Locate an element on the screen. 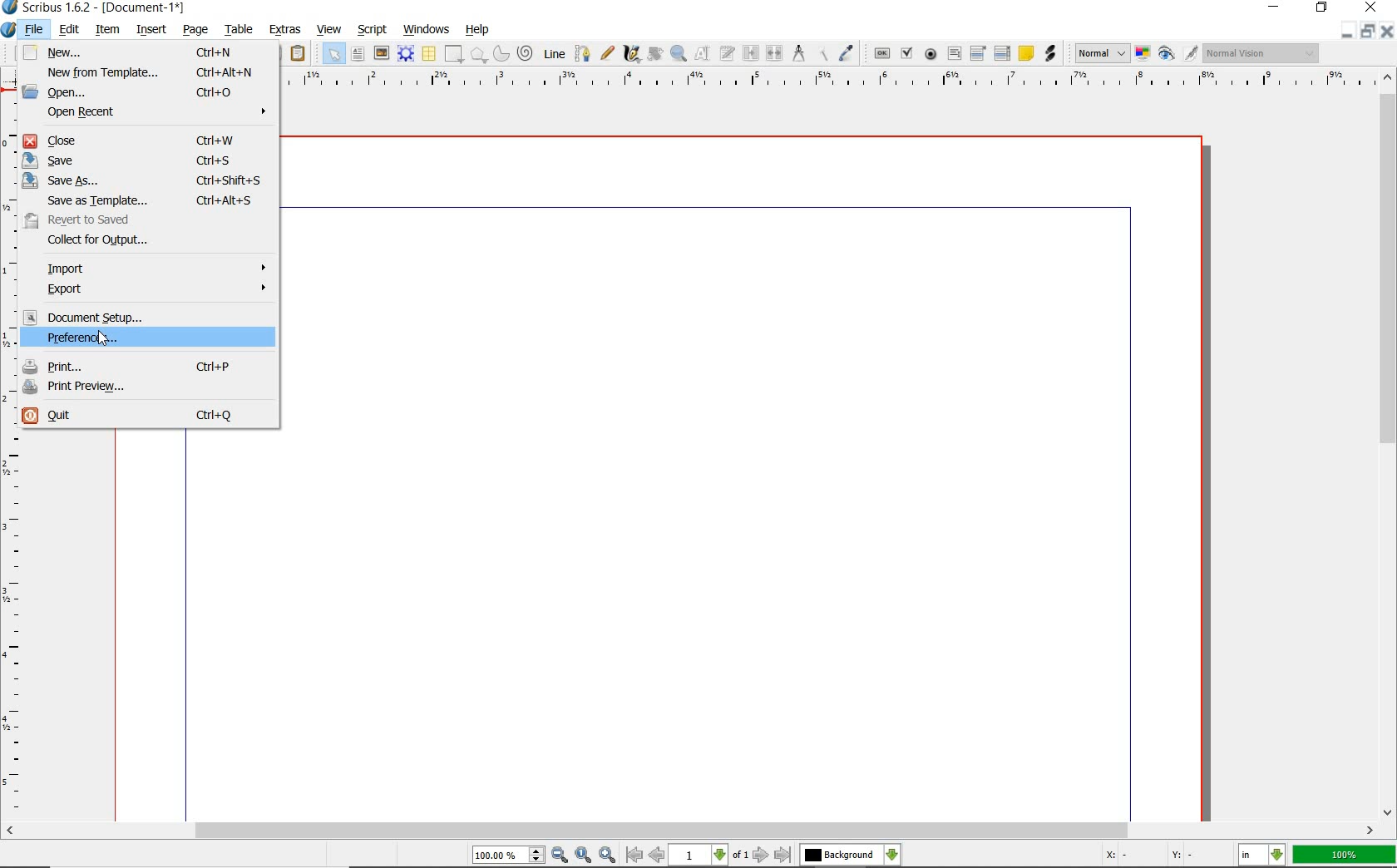 The image size is (1397, 868). rotate item is located at coordinates (655, 54).